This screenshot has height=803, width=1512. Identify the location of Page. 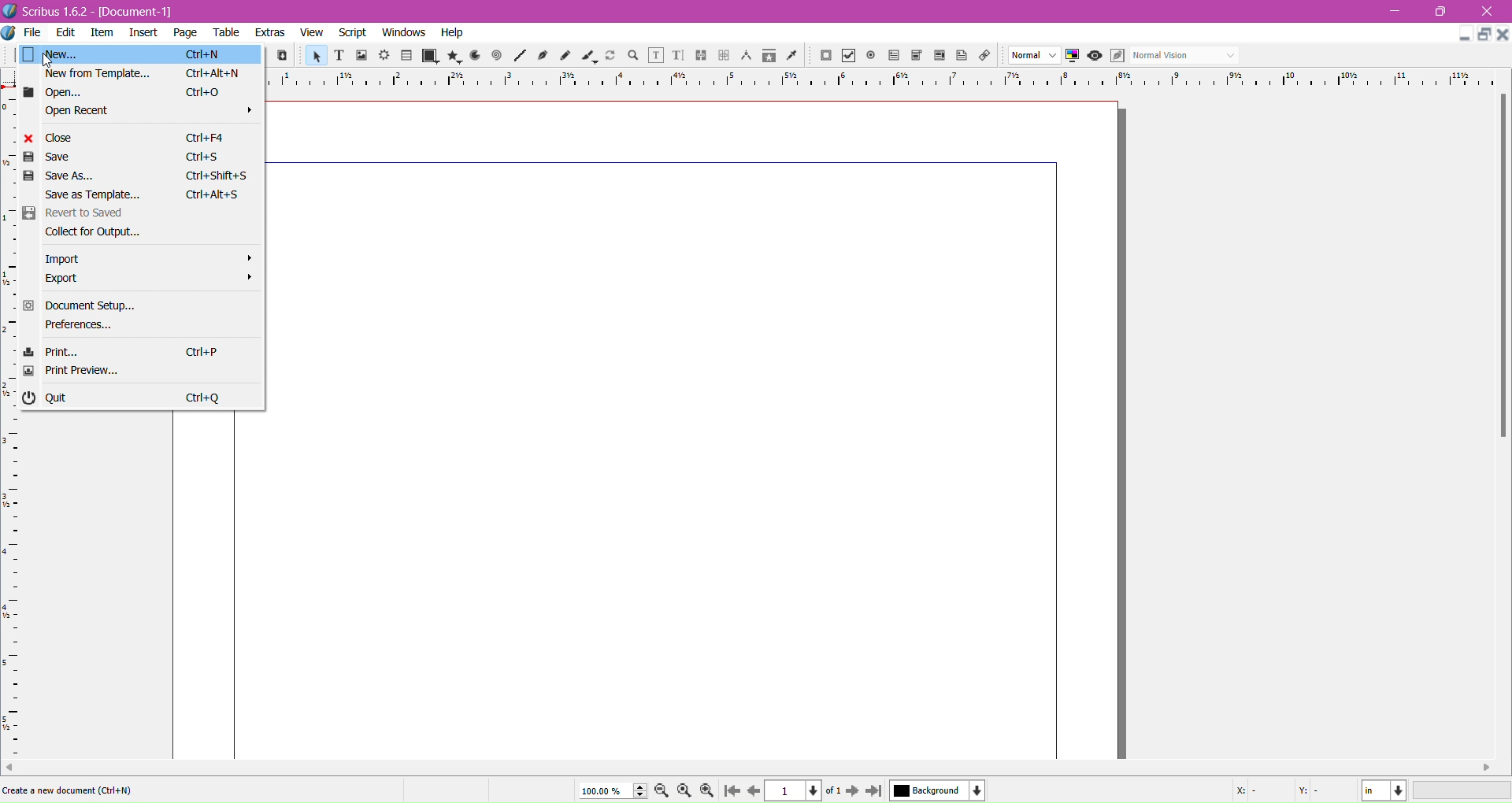
(186, 32).